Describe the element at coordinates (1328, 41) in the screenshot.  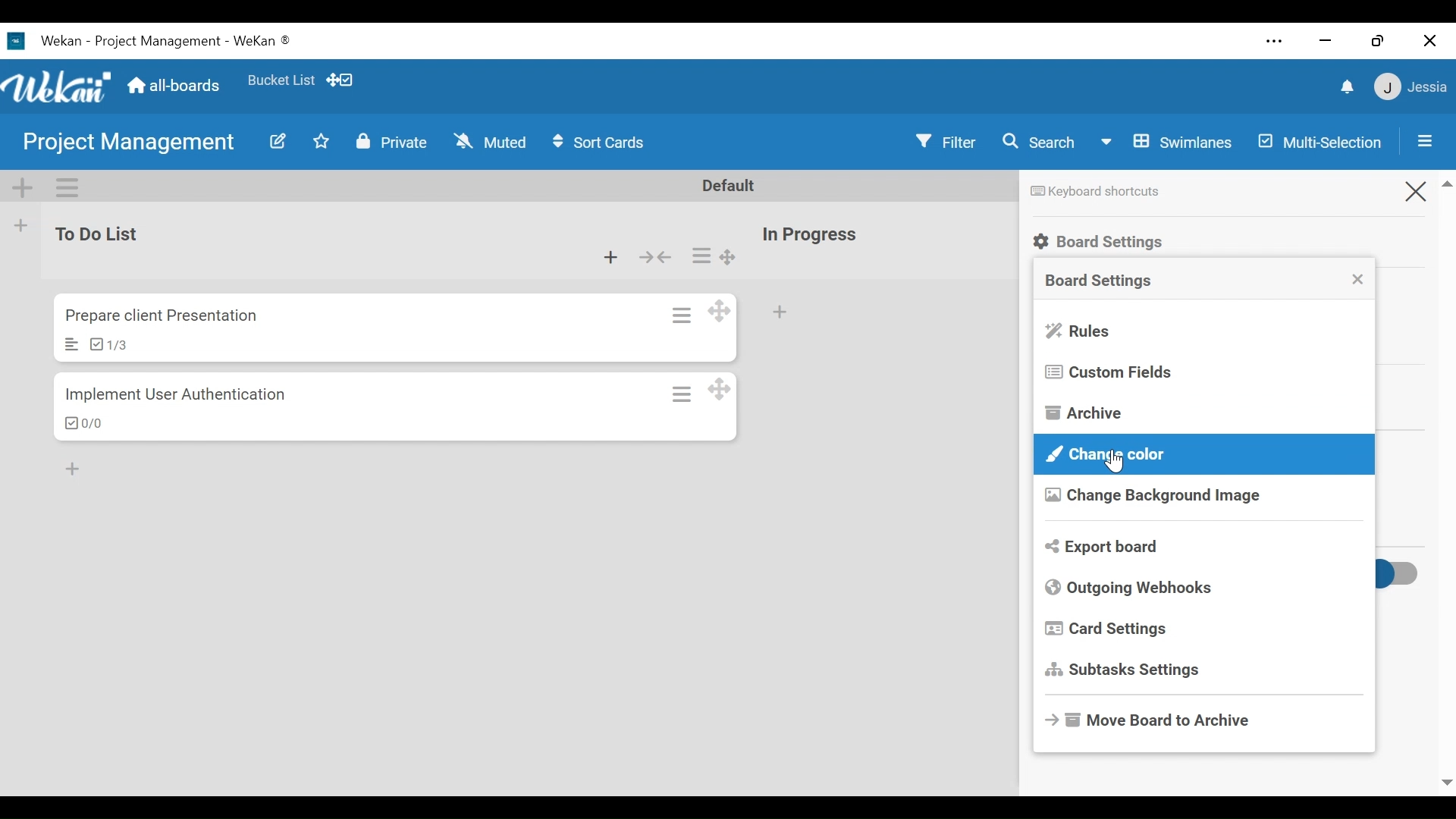
I see `close` at that location.